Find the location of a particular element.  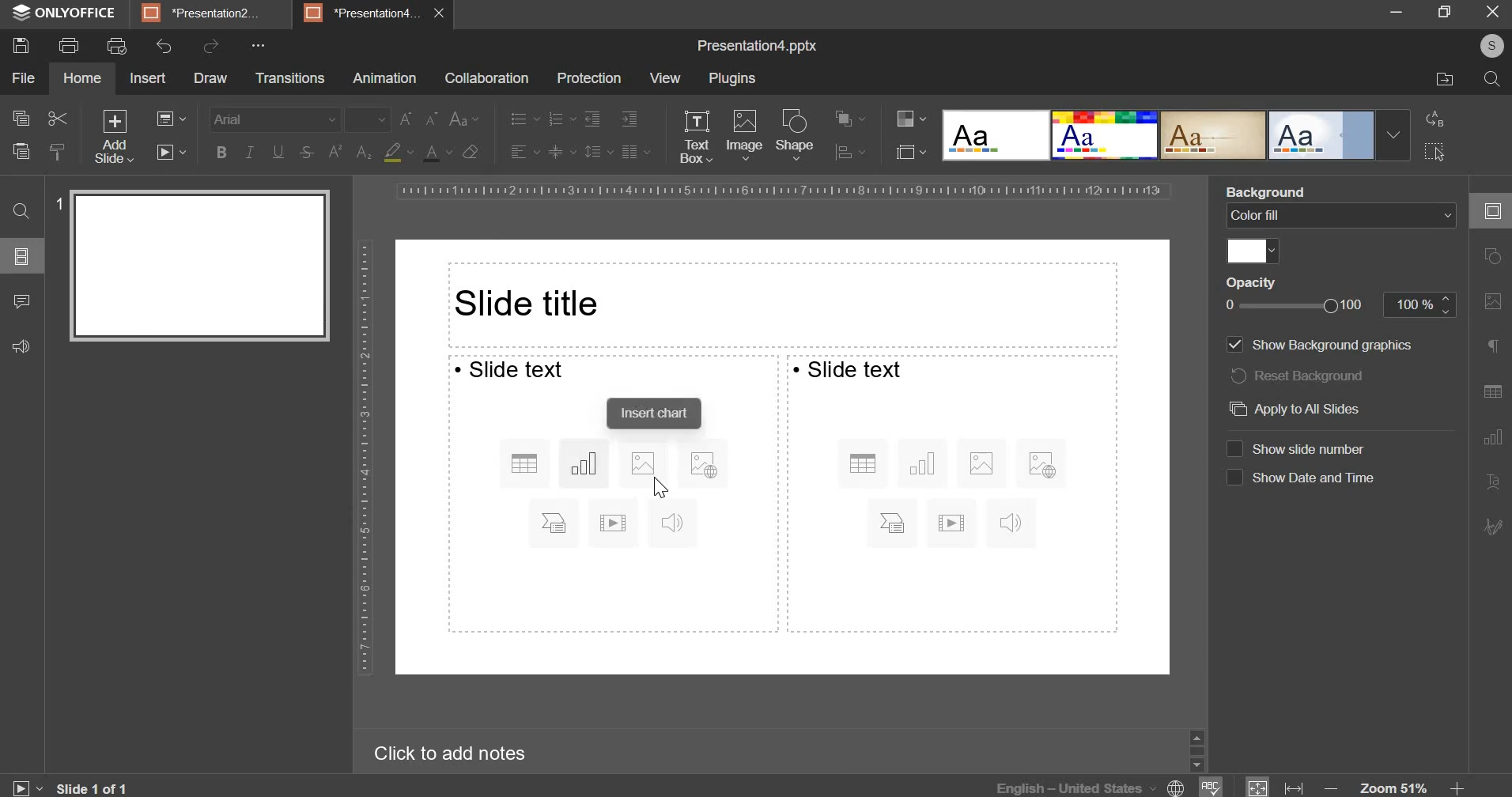

presentation4... is located at coordinates (363, 12).